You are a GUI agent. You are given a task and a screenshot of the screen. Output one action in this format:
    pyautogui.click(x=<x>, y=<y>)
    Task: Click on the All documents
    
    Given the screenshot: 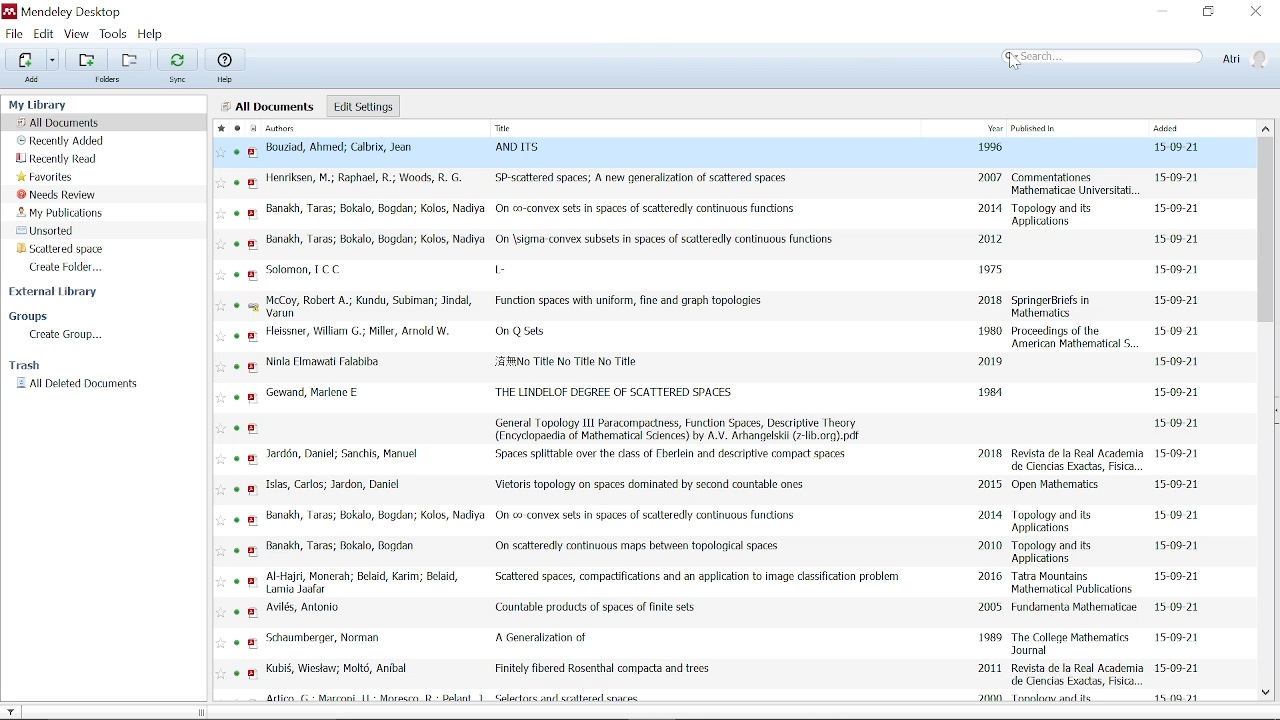 What is the action you would take?
    pyautogui.click(x=61, y=123)
    